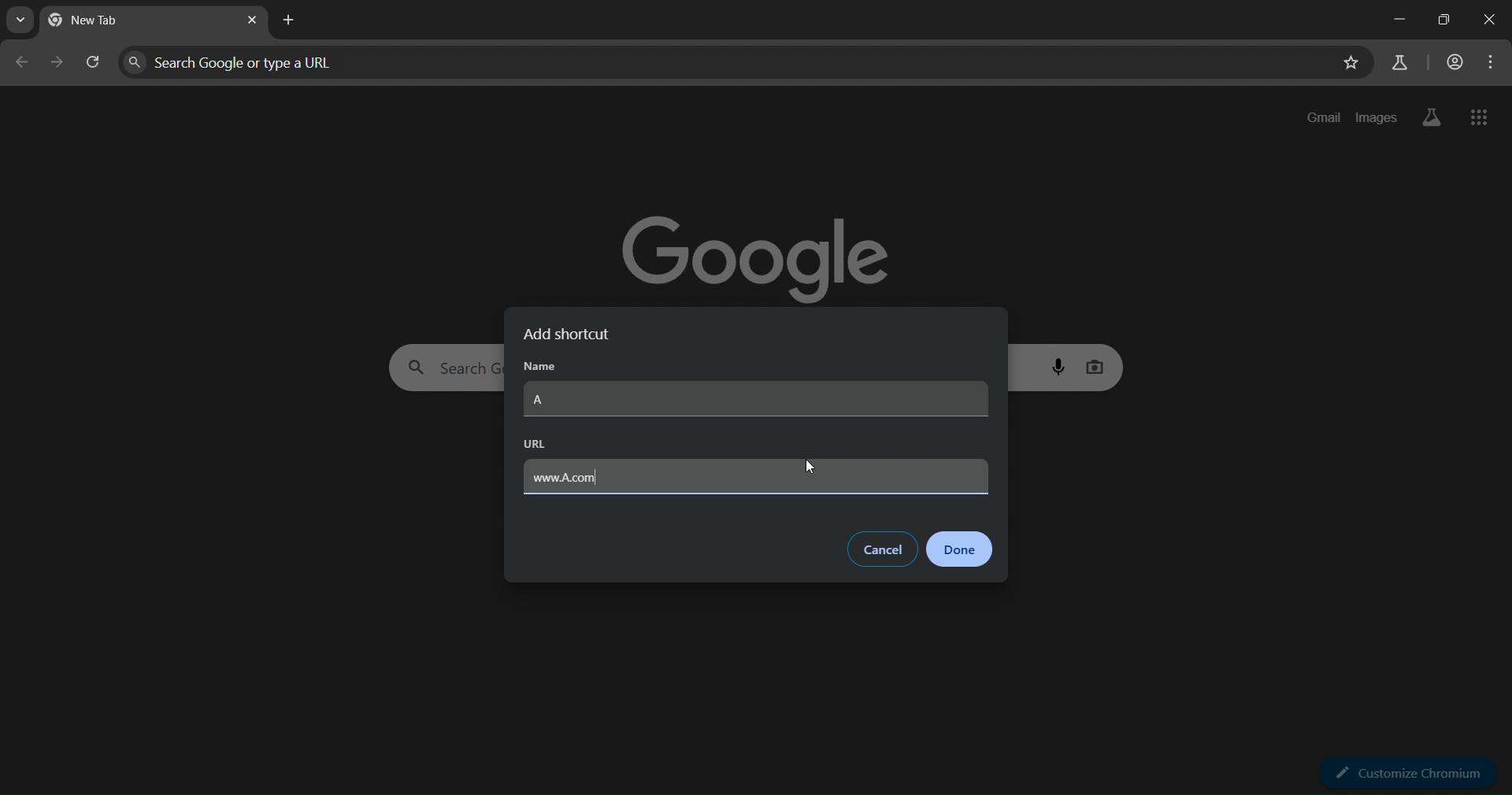 This screenshot has width=1512, height=795. What do you see at coordinates (254, 21) in the screenshot?
I see `close tab` at bounding box center [254, 21].